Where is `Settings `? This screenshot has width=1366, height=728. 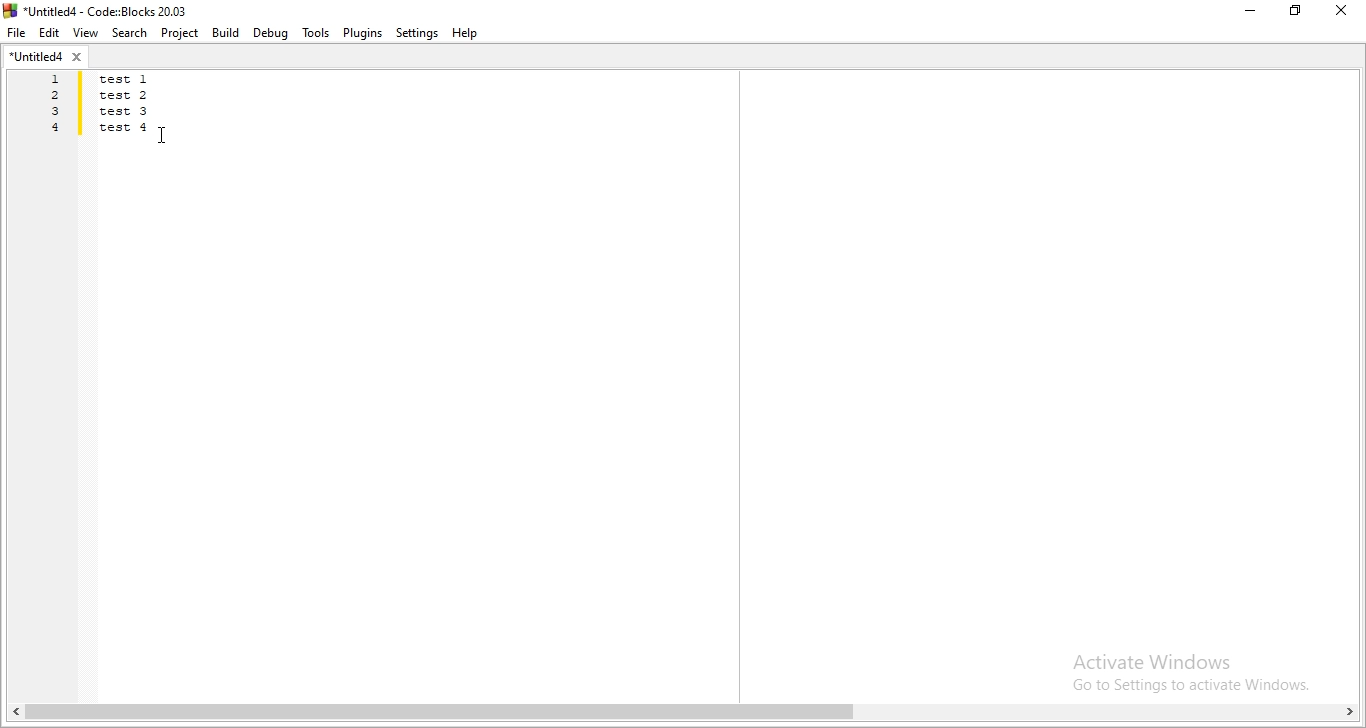
Settings  is located at coordinates (415, 34).